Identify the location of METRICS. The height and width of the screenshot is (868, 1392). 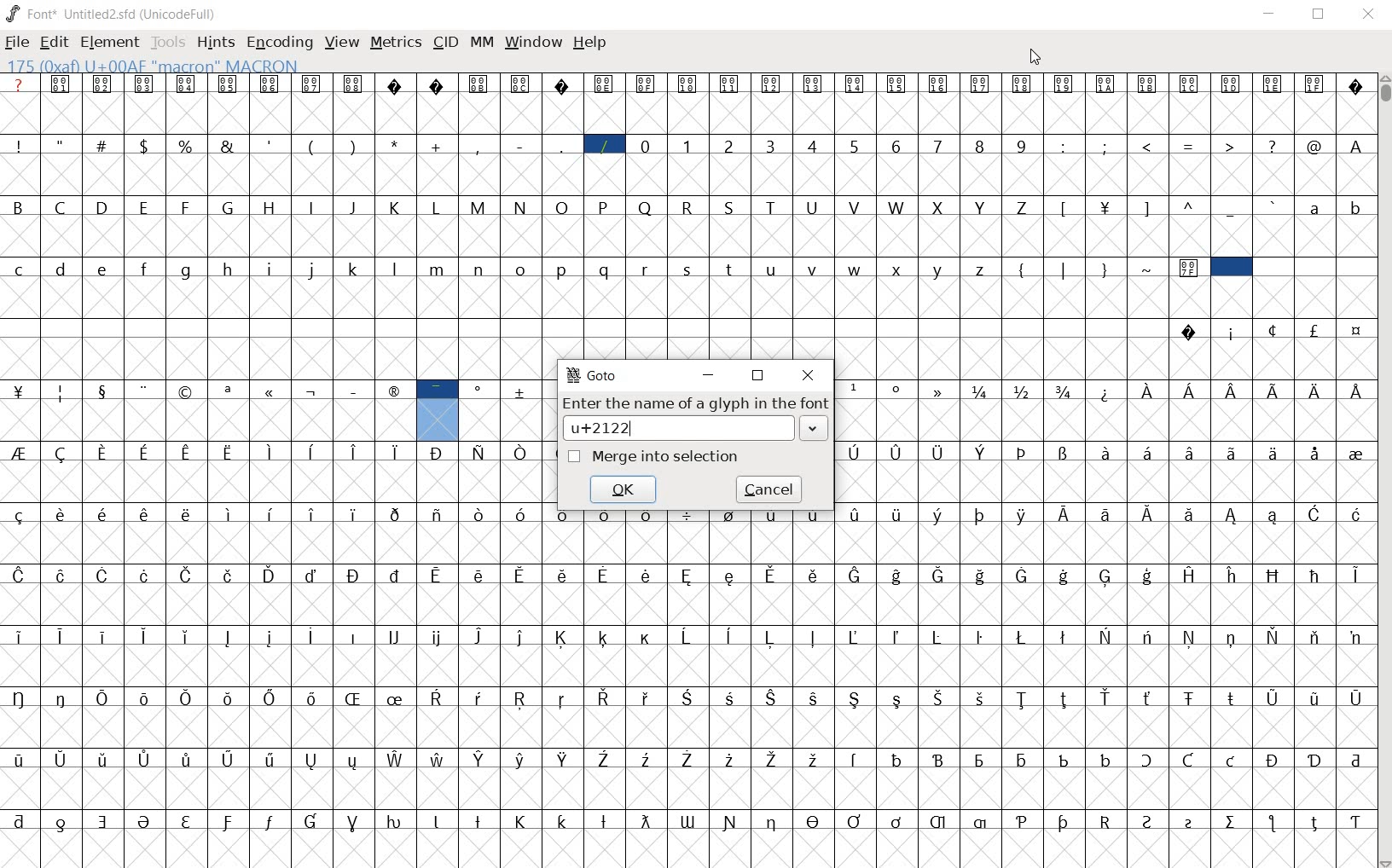
(395, 44).